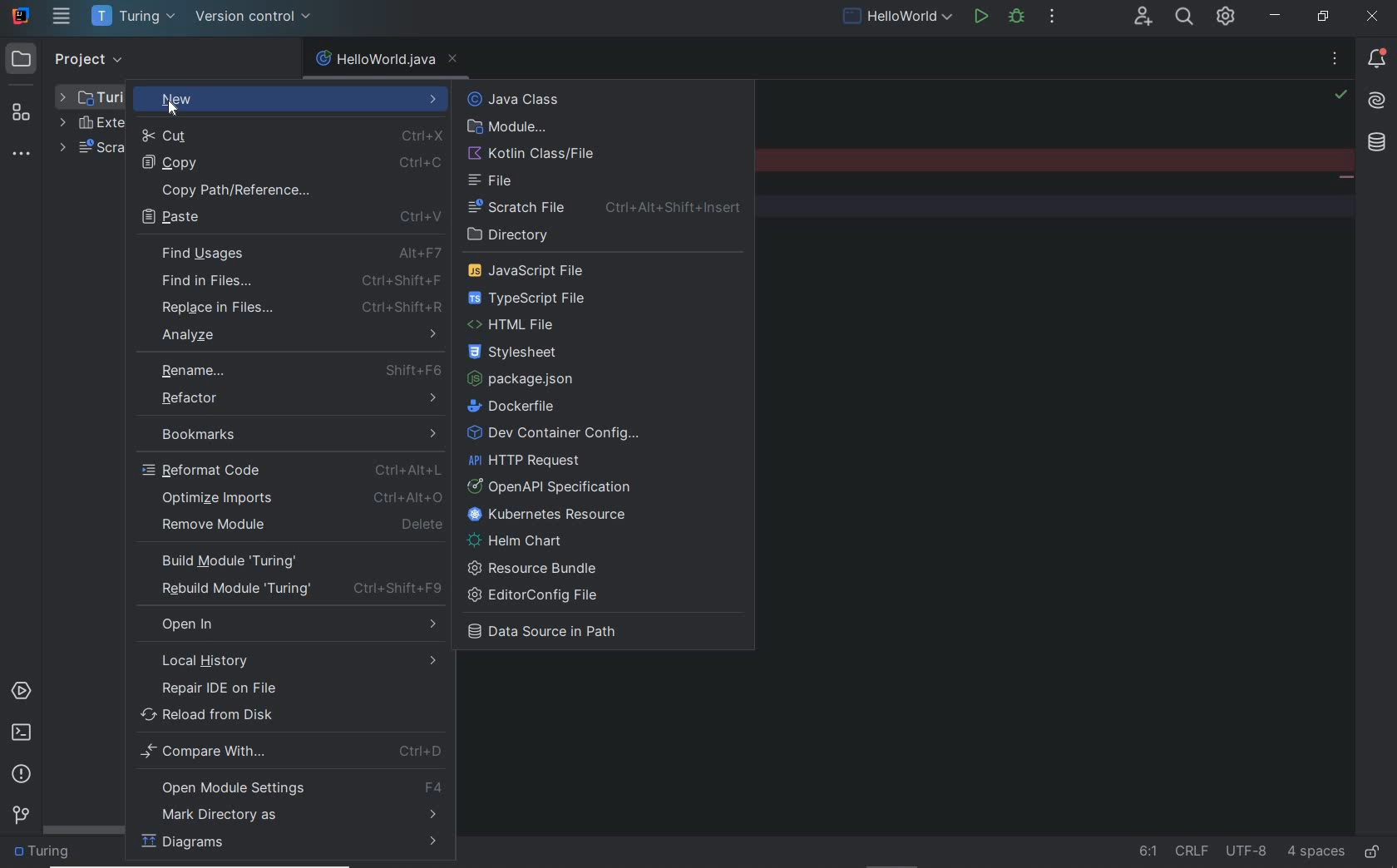  What do you see at coordinates (526, 461) in the screenshot?
I see `http request` at bounding box center [526, 461].